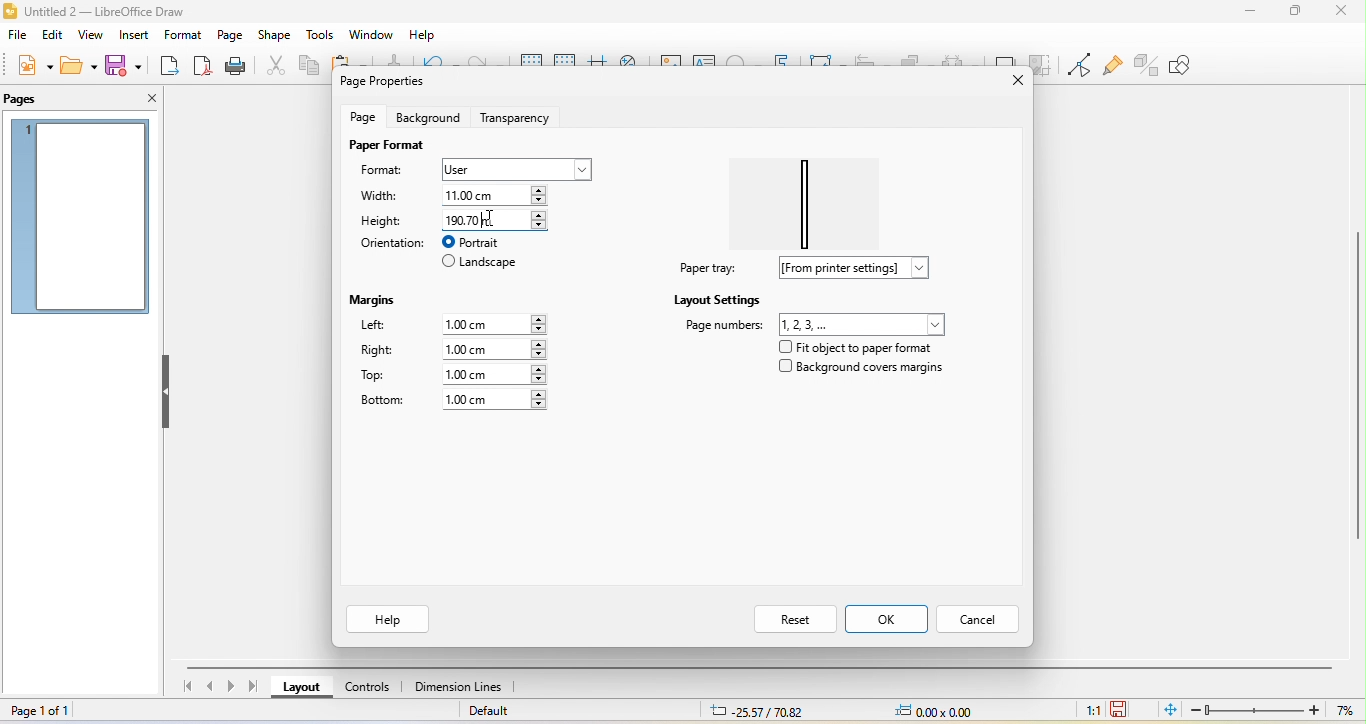 Image resolution: width=1366 pixels, height=724 pixels. What do you see at coordinates (718, 299) in the screenshot?
I see `layout settings` at bounding box center [718, 299].